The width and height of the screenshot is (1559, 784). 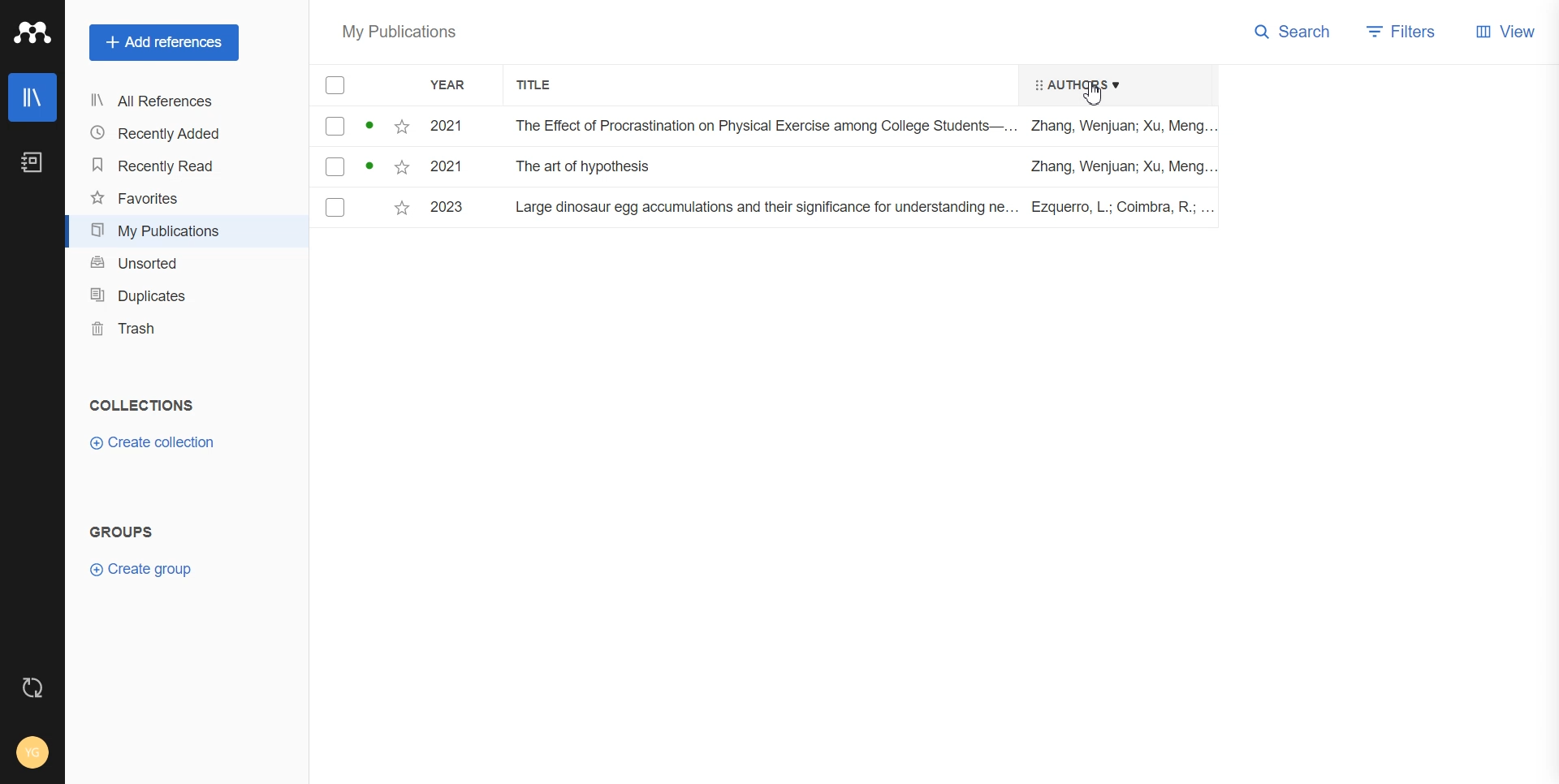 What do you see at coordinates (402, 168) in the screenshot?
I see `Favorites` at bounding box center [402, 168].